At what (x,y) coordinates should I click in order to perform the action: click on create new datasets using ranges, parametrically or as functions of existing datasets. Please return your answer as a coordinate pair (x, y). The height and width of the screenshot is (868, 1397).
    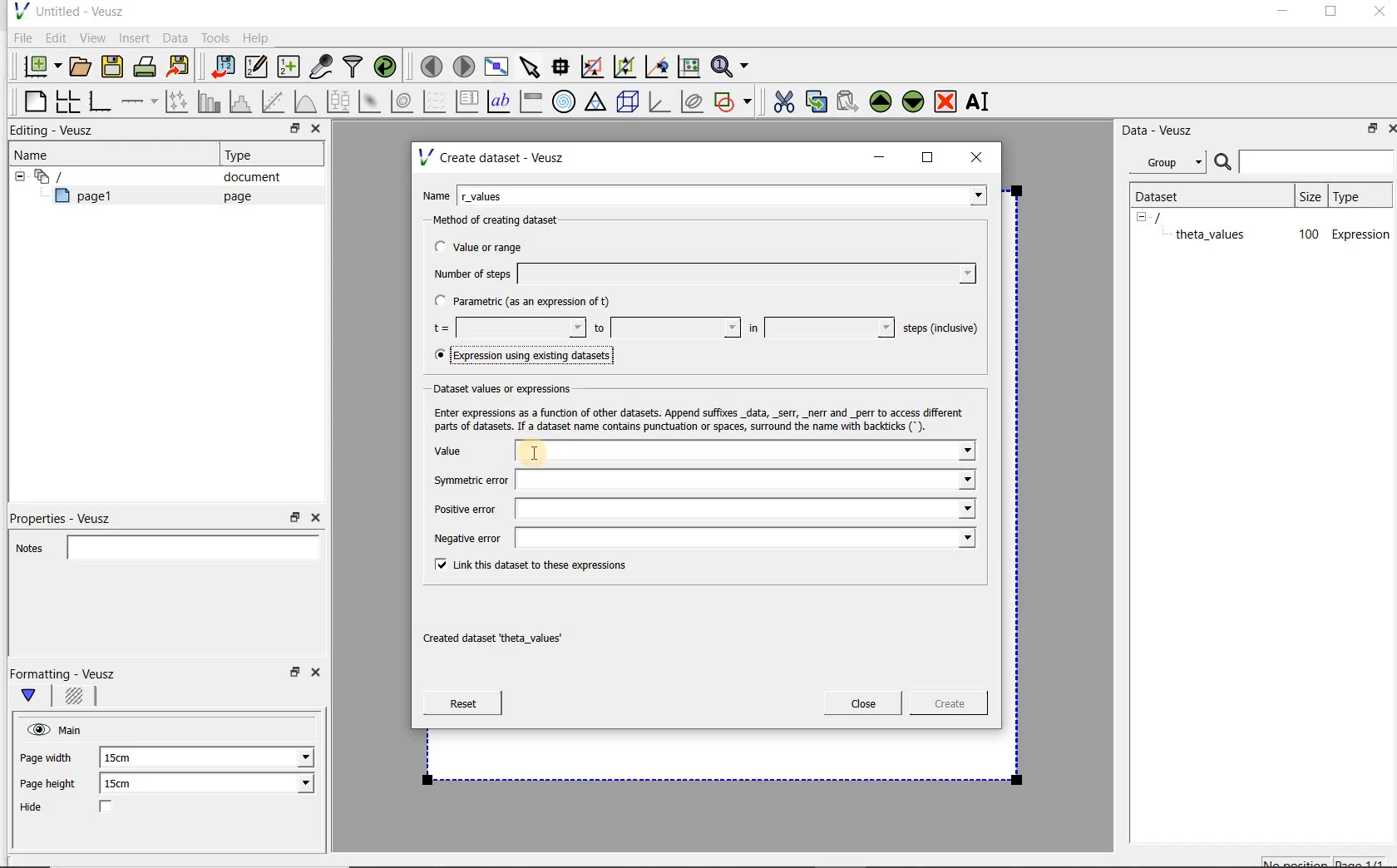
    Looking at the image, I should click on (289, 67).